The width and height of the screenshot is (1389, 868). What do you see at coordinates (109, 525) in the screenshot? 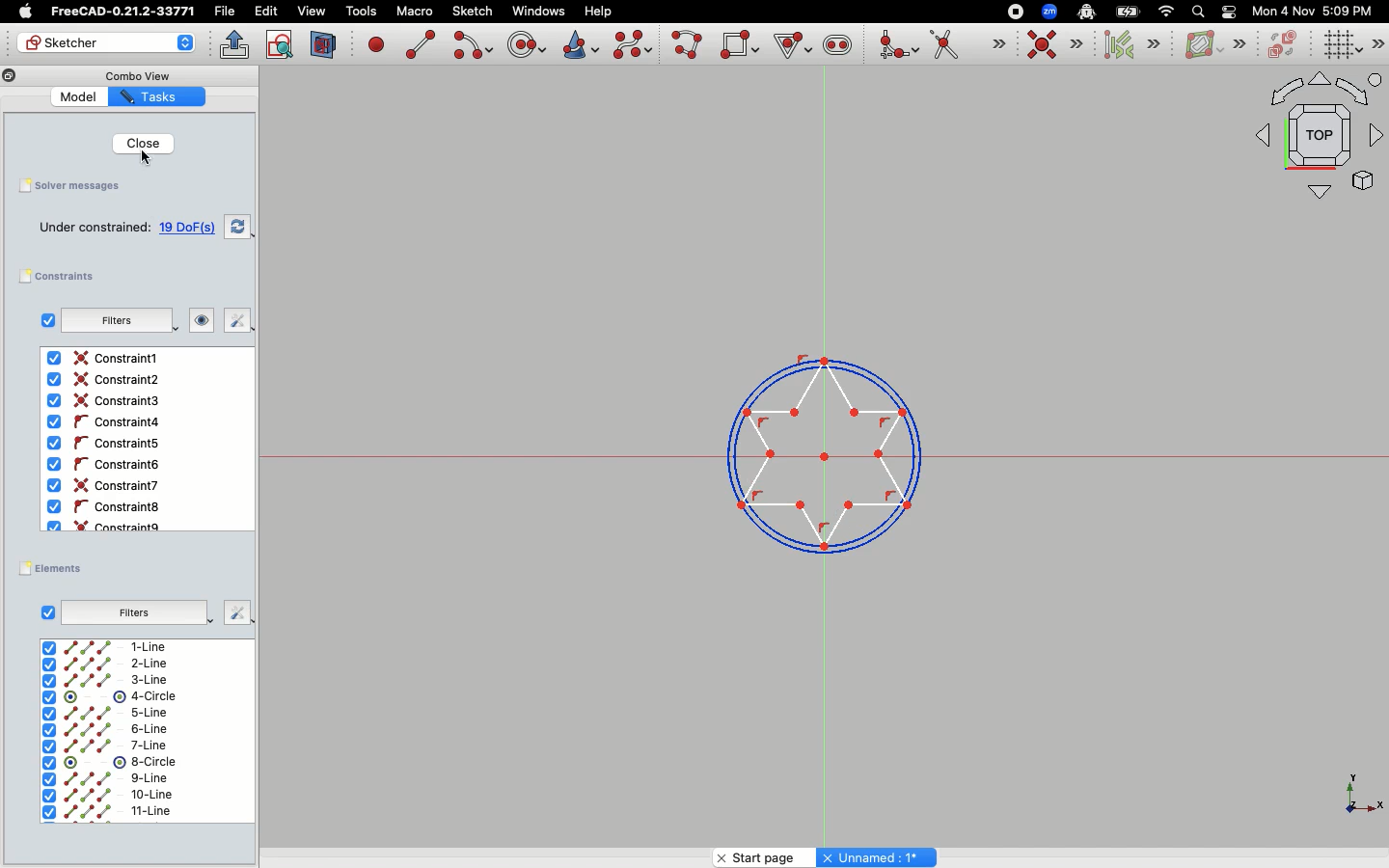
I see `Constraint9` at bounding box center [109, 525].